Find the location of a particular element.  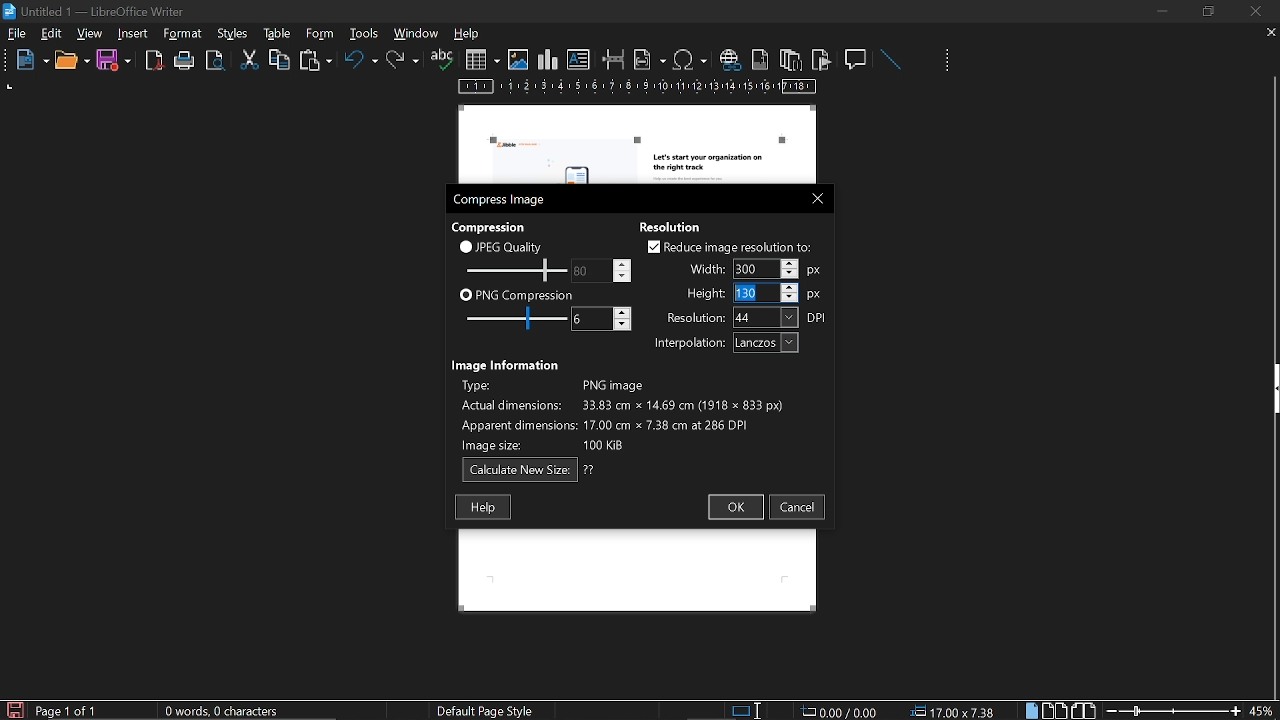

0.00 / 0.00 is located at coordinates (842, 710).